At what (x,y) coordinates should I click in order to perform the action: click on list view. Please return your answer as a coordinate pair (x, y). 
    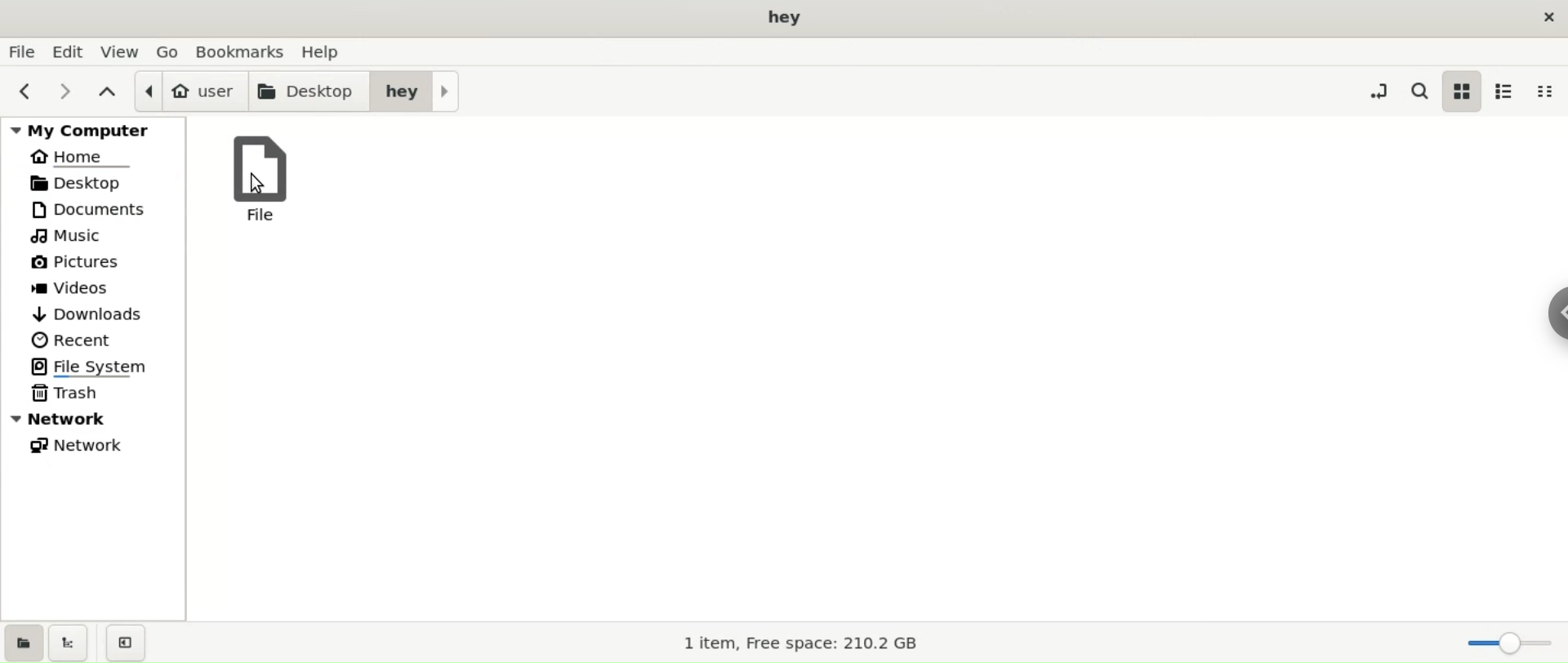
    Looking at the image, I should click on (1506, 93).